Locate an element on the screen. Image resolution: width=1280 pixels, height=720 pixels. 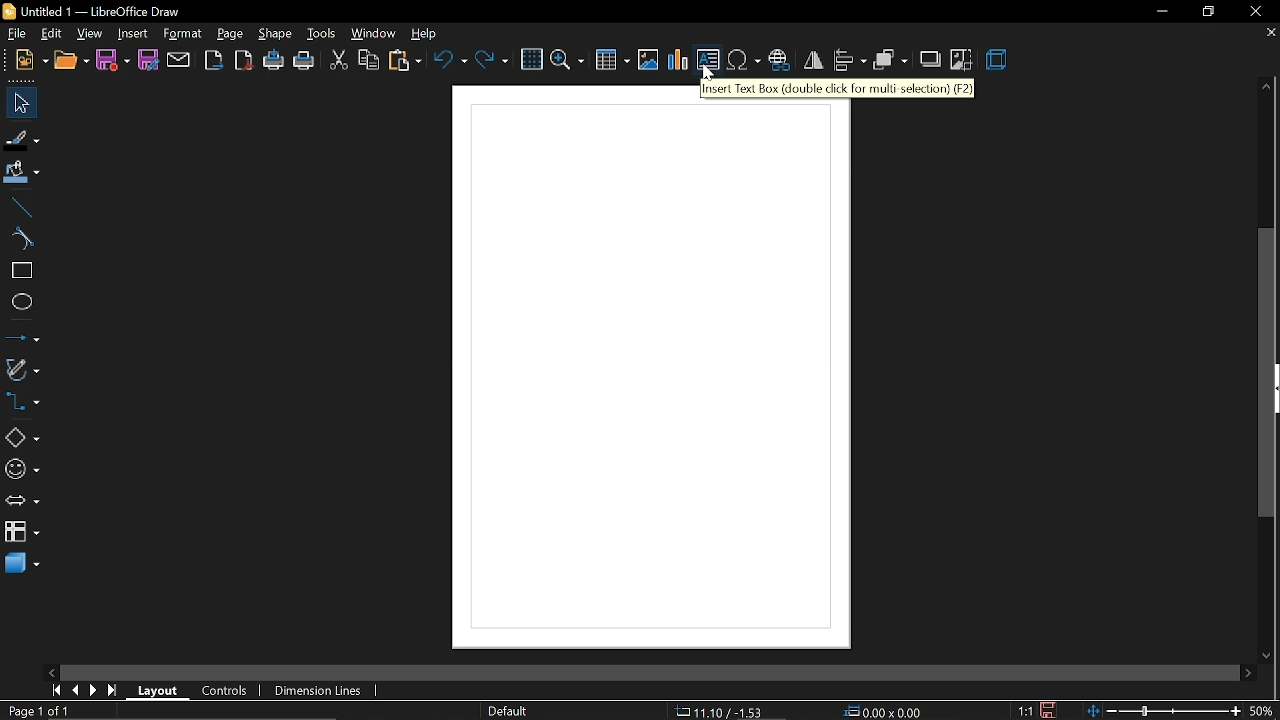
current window is located at coordinates (96, 11).